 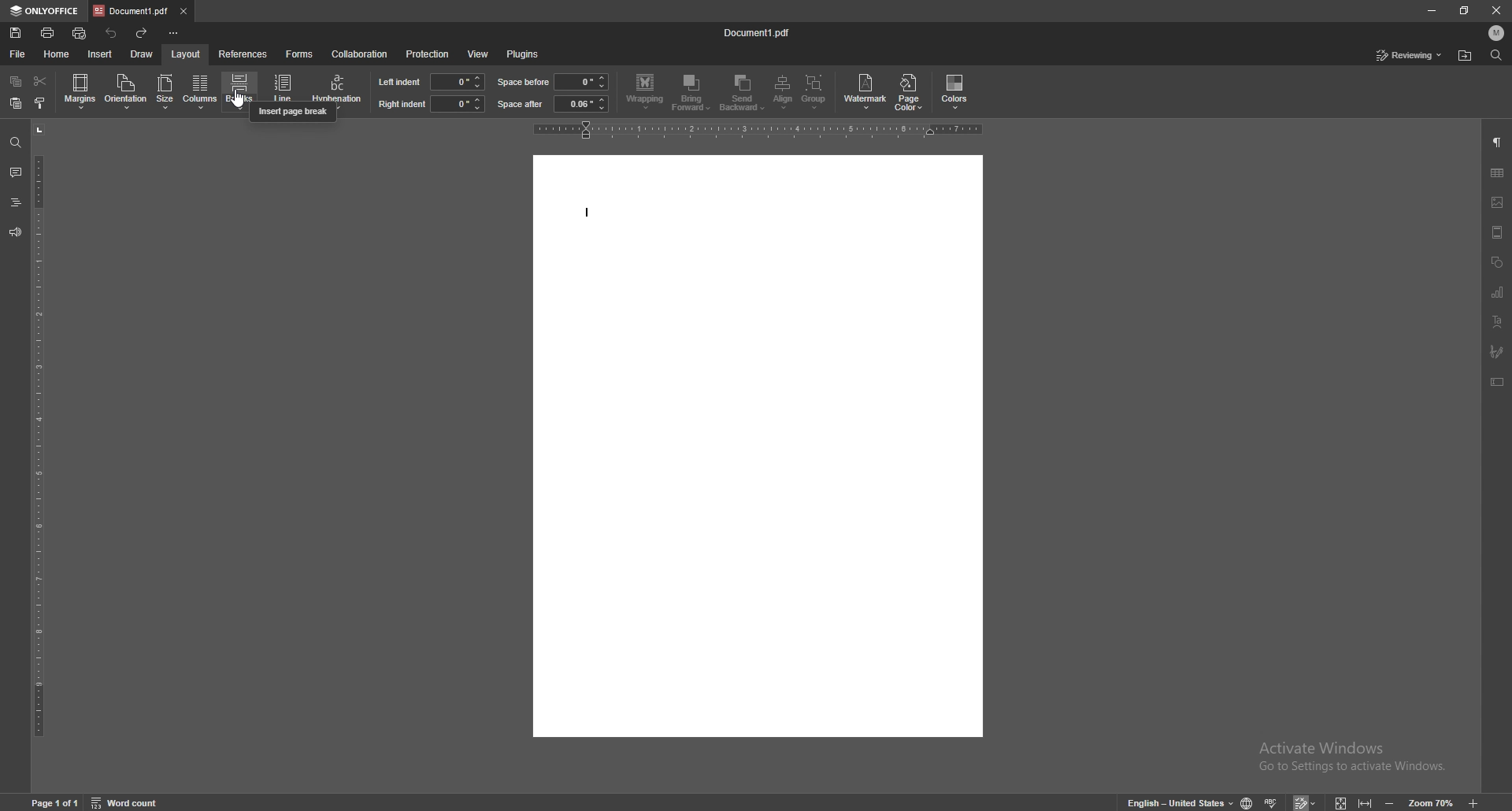 What do you see at coordinates (911, 94) in the screenshot?
I see `page color` at bounding box center [911, 94].